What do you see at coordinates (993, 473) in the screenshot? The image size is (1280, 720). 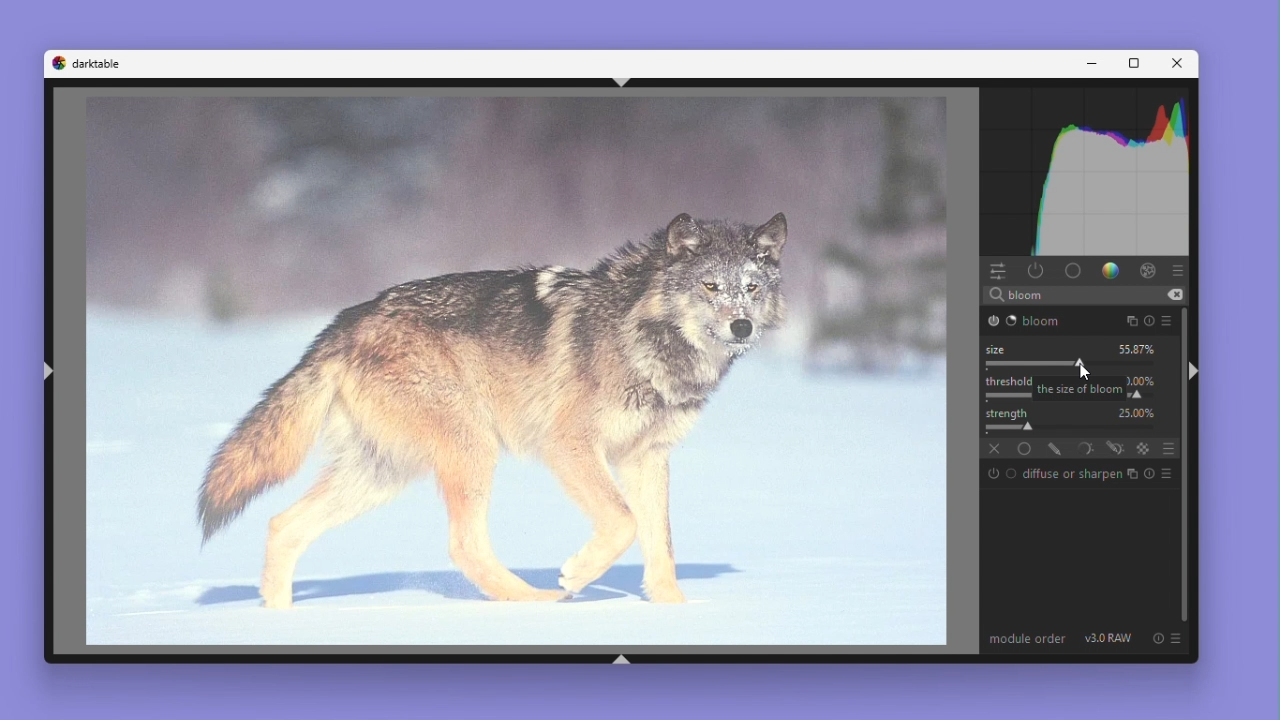 I see `enable/disable module` at bounding box center [993, 473].